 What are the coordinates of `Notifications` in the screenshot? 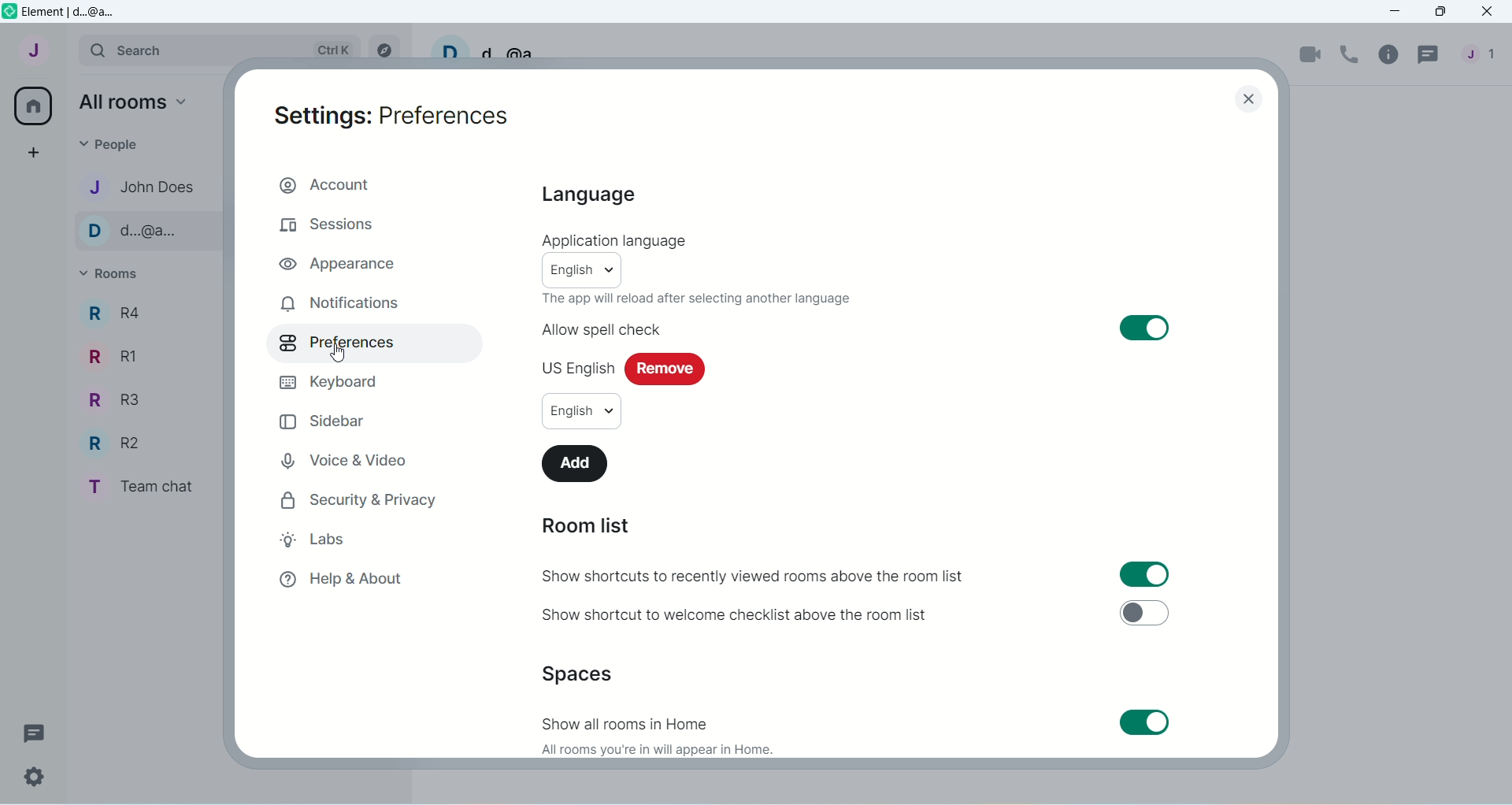 It's located at (343, 303).